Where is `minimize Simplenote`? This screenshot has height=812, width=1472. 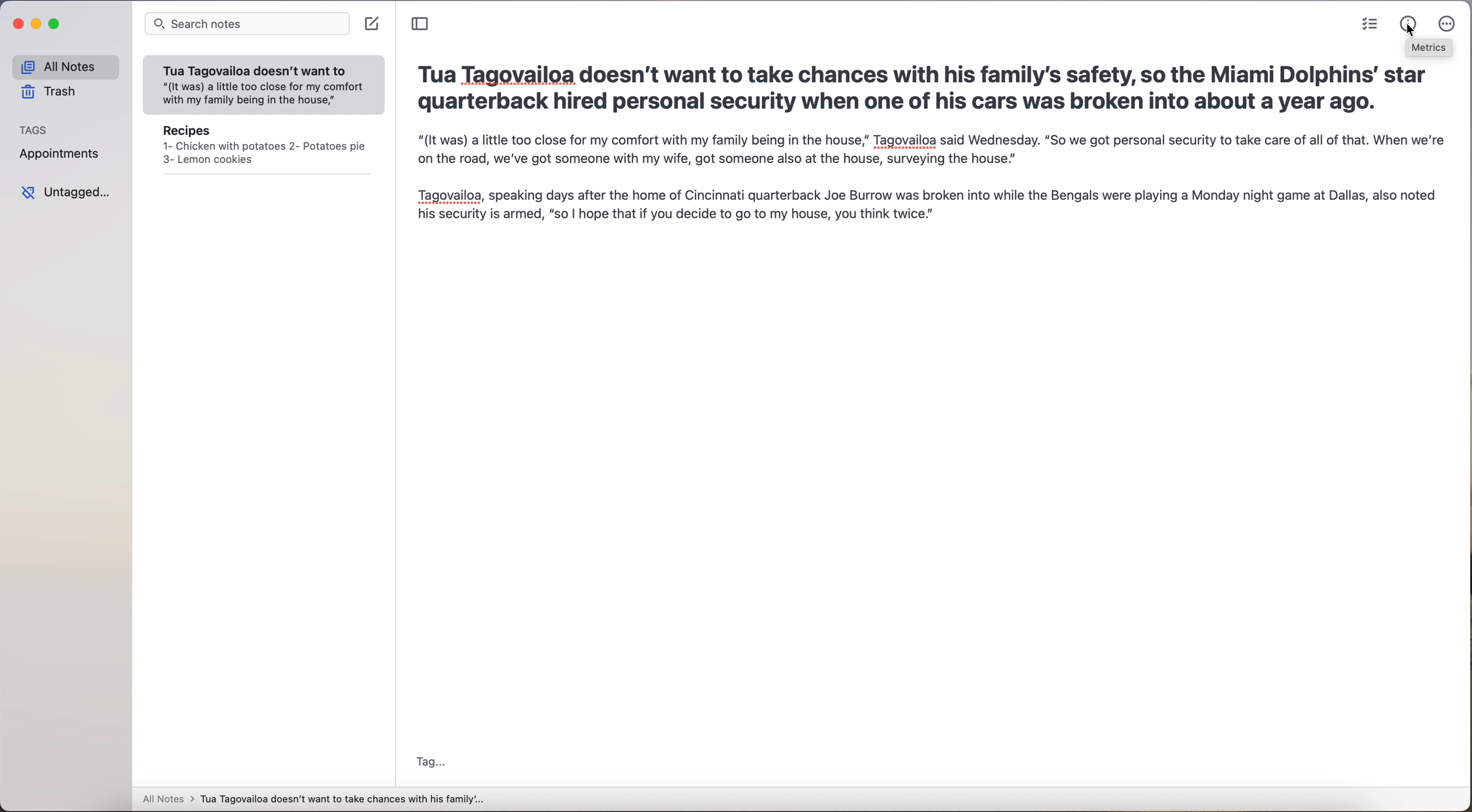
minimize Simplenote is located at coordinates (38, 25).